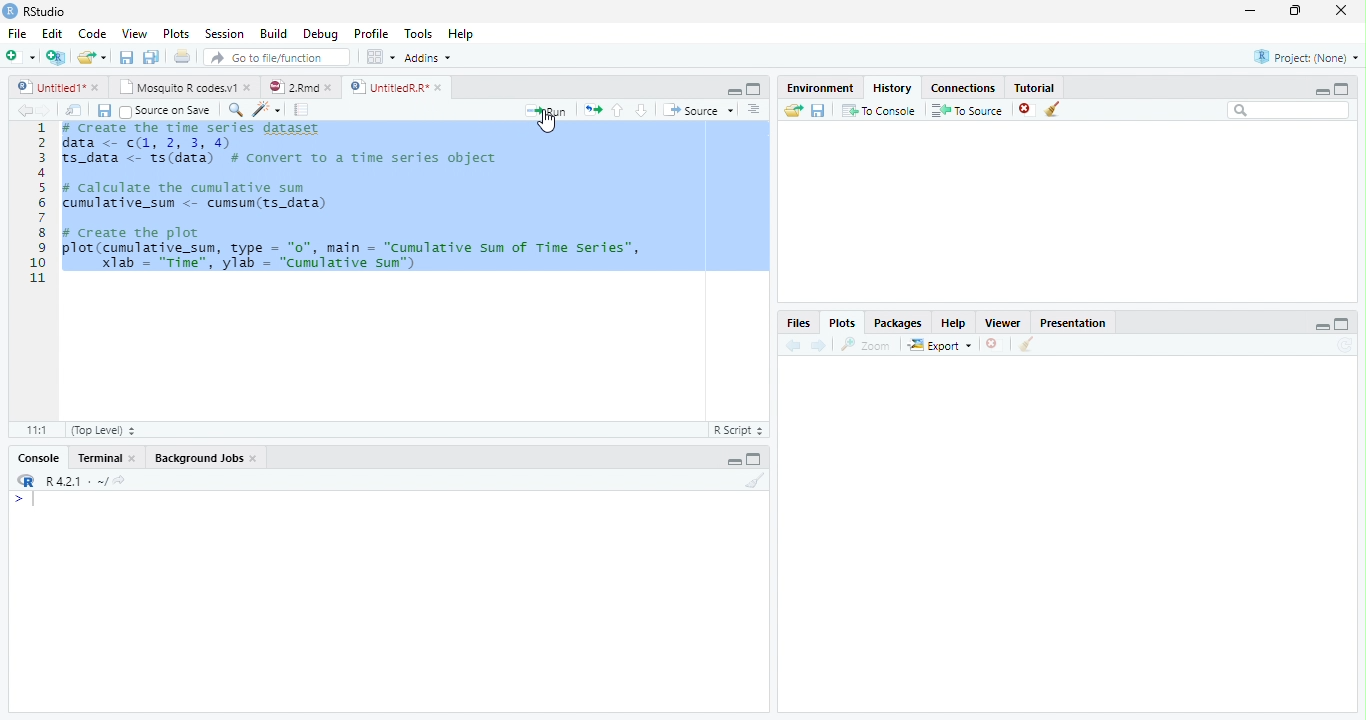 This screenshot has height=720, width=1366. What do you see at coordinates (324, 35) in the screenshot?
I see `Debug` at bounding box center [324, 35].